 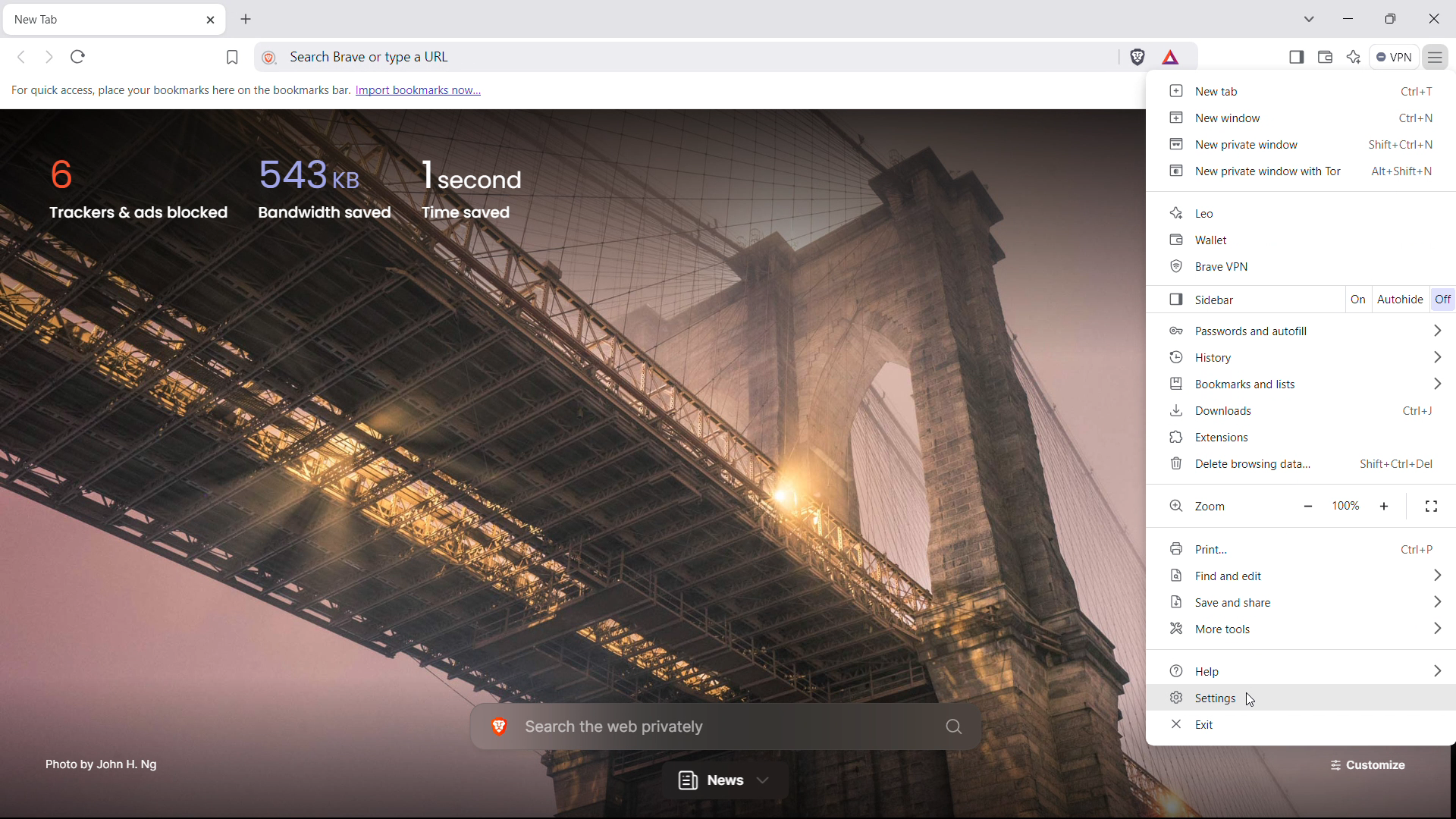 What do you see at coordinates (1299, 145) in the screenshot?
I see `new private window` at bounding box center [1299, 145].